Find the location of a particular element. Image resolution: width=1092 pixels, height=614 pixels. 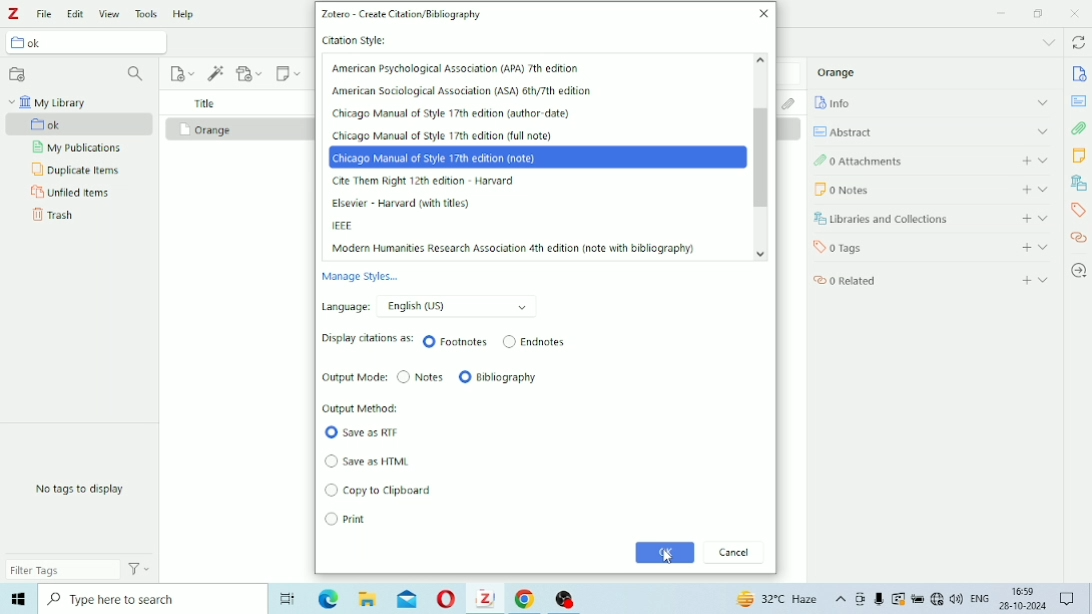

Close is located at coordinates (1074, 13).